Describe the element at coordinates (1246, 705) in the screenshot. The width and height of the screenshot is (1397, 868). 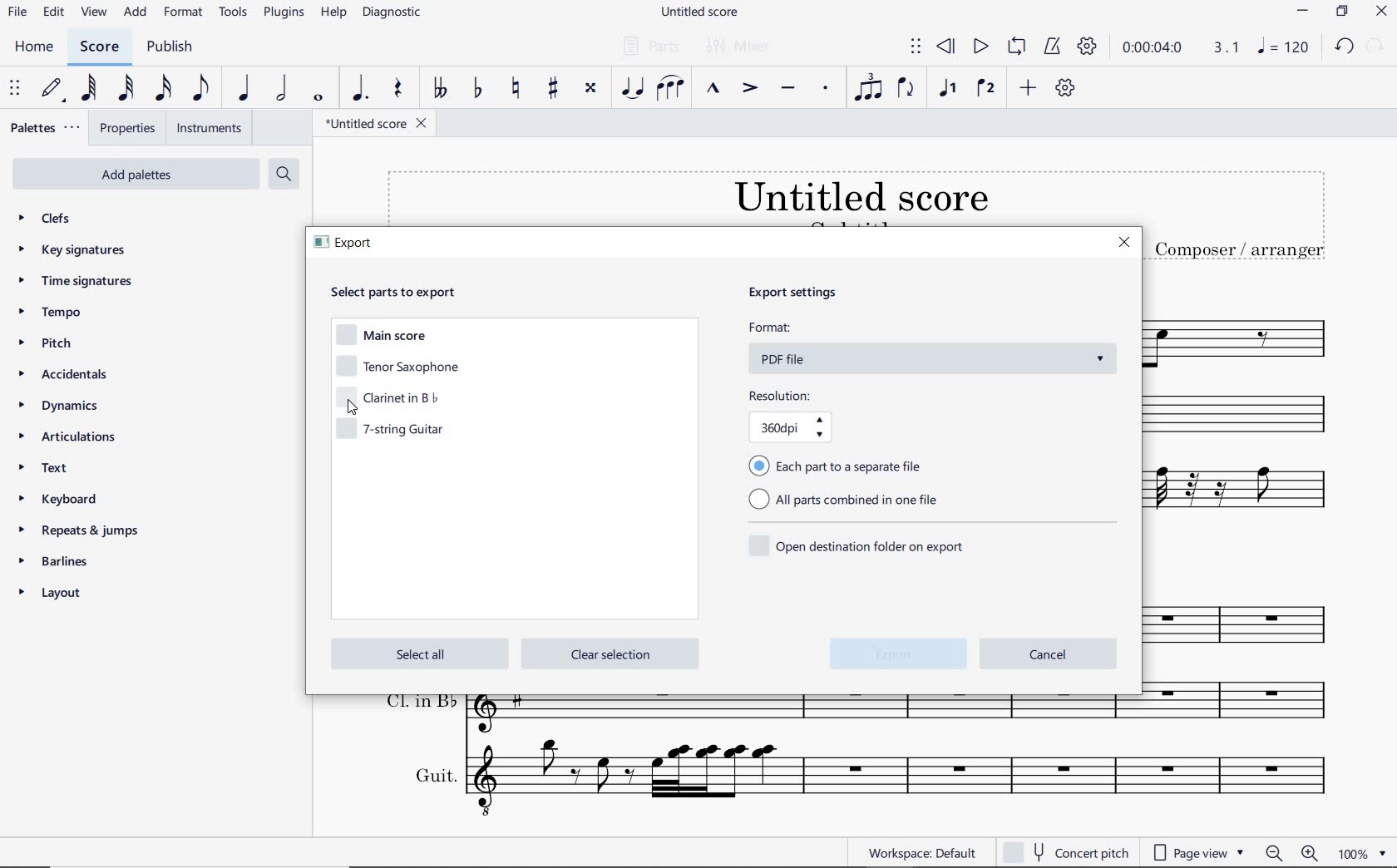
I see `Cl. in B` at that location.